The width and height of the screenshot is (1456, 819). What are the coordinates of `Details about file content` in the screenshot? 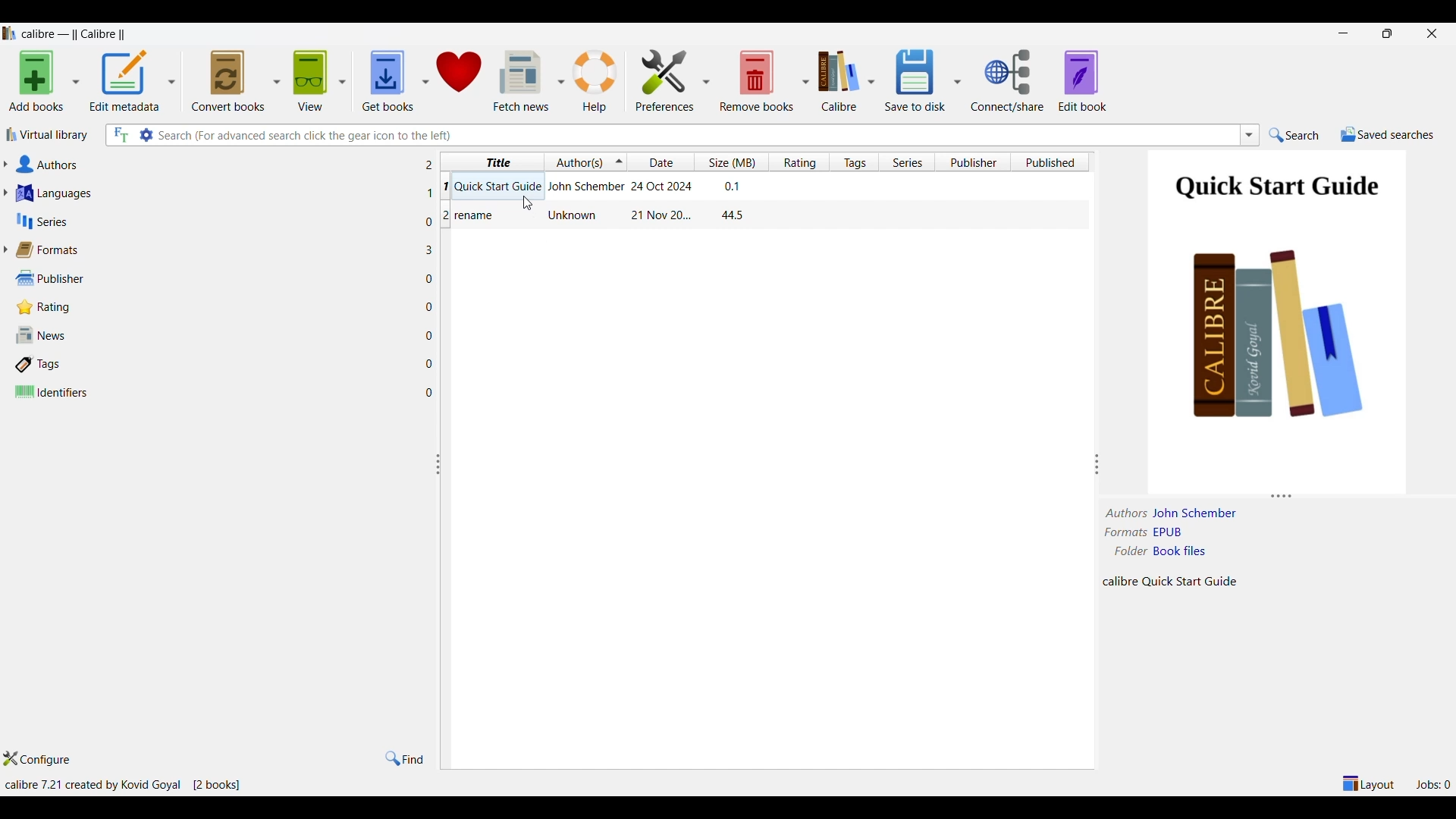 It's located at (1176, 580).